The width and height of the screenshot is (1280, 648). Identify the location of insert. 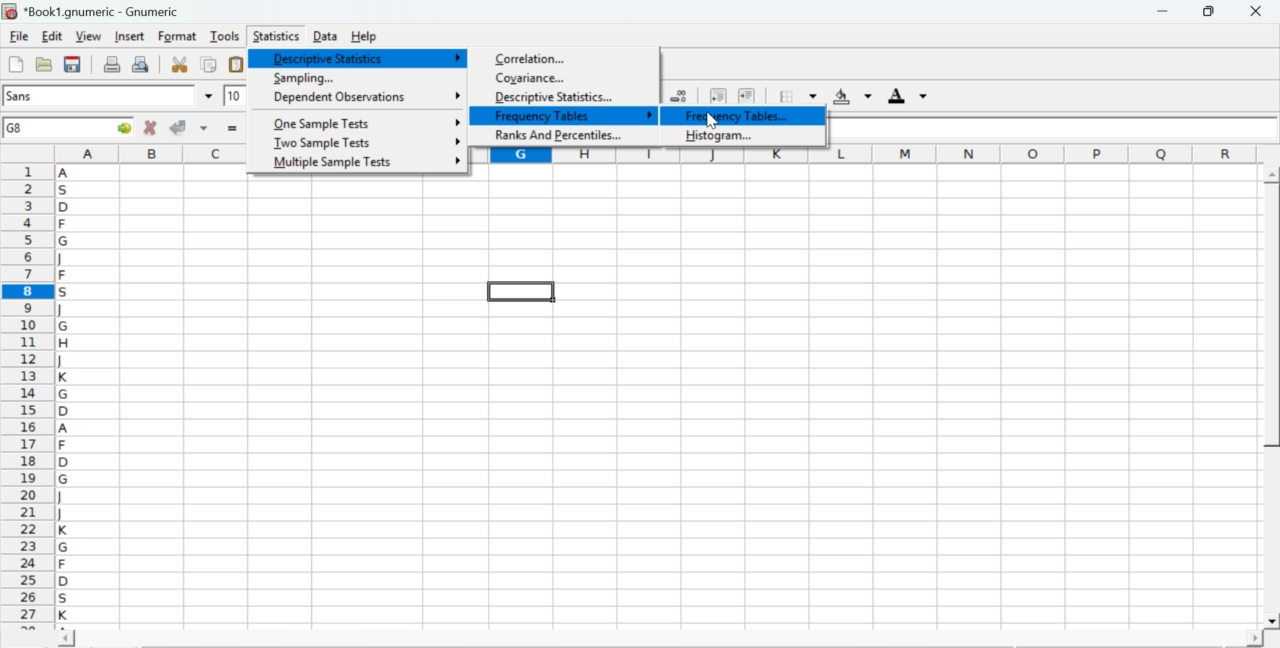
(128, 35).